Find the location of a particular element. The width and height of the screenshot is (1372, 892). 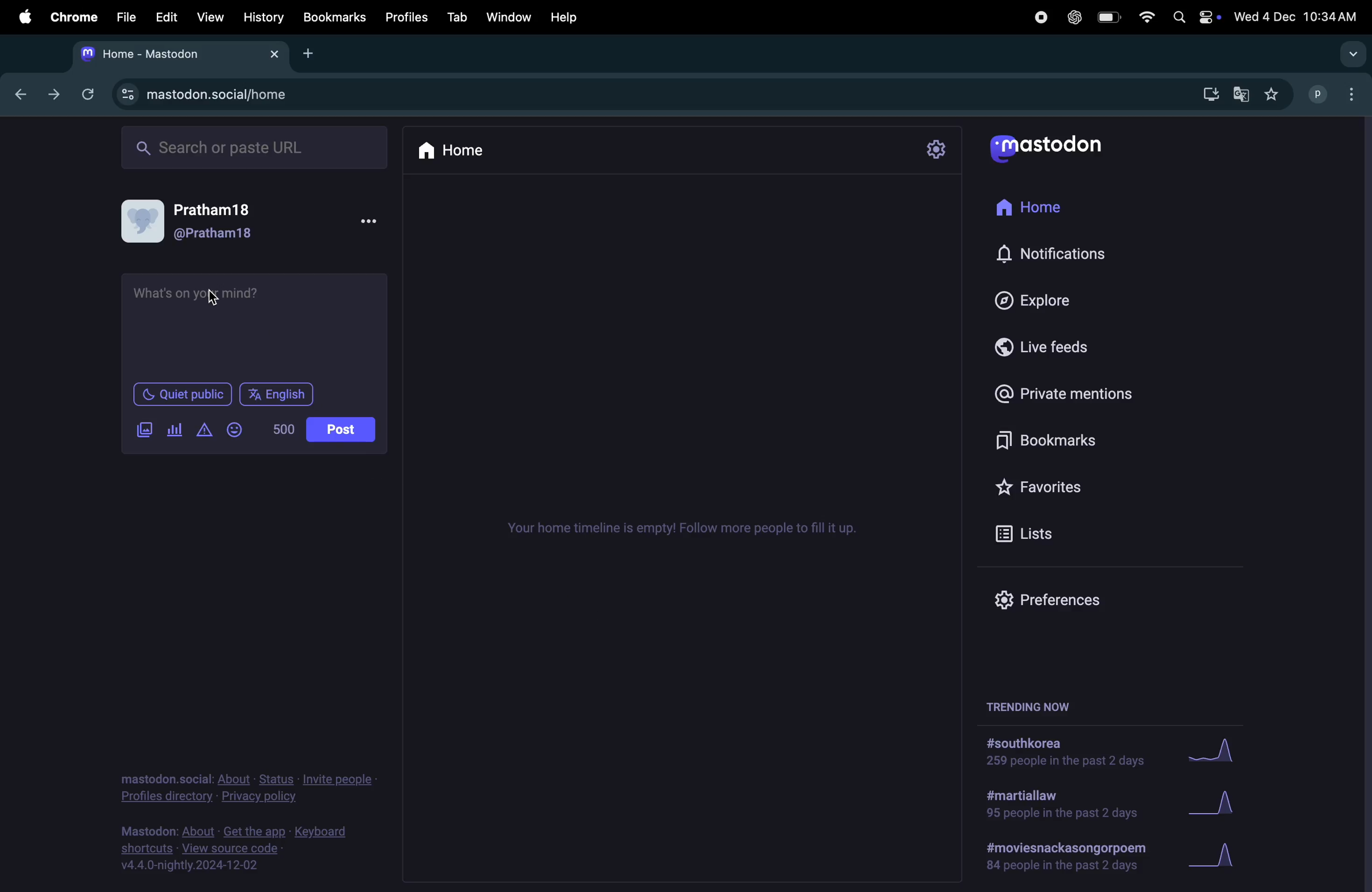

favourites is located at coordinates (1273, 94).